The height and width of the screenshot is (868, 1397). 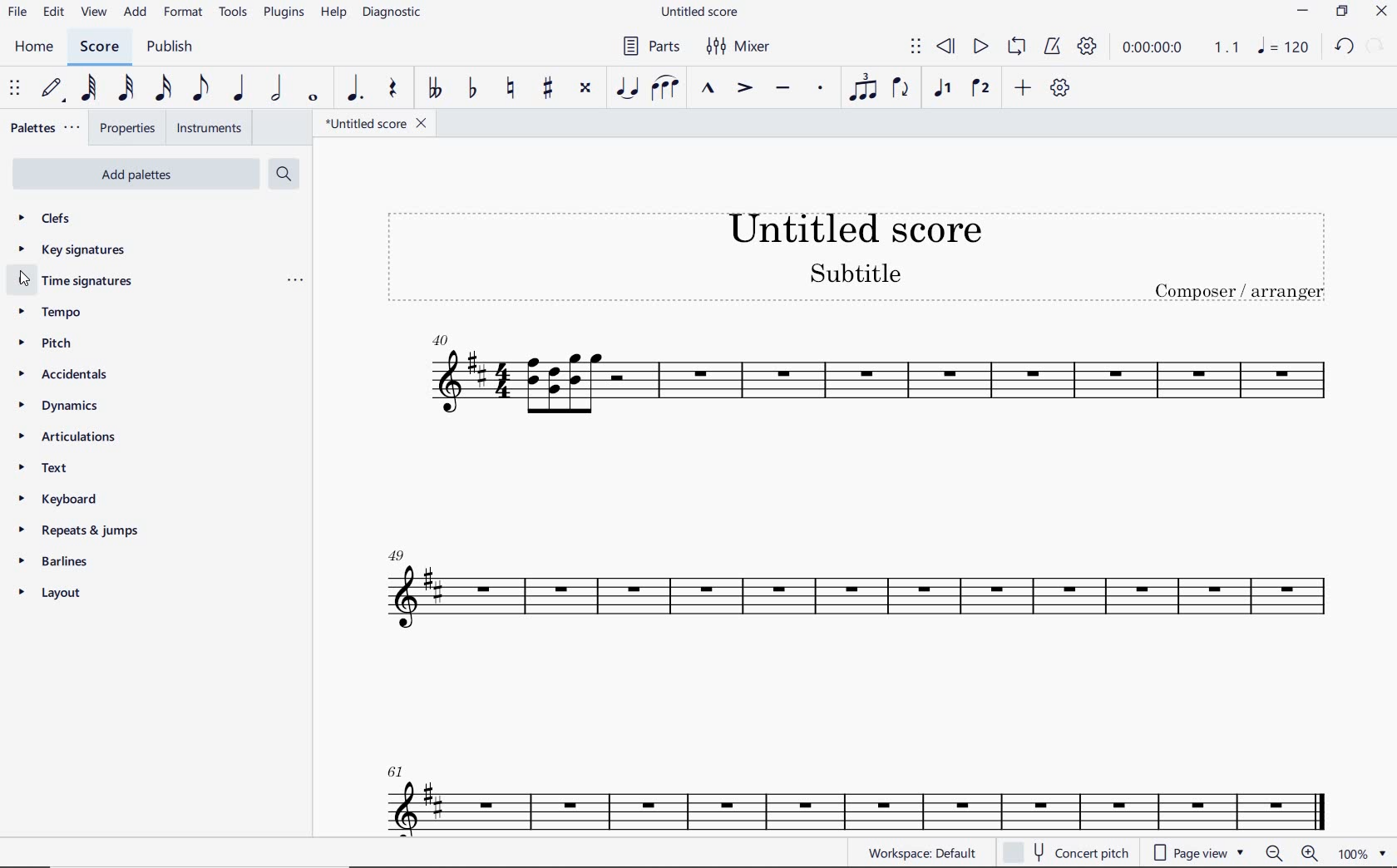 I want to click on DYNAMICS, so click(x=56, y=404).